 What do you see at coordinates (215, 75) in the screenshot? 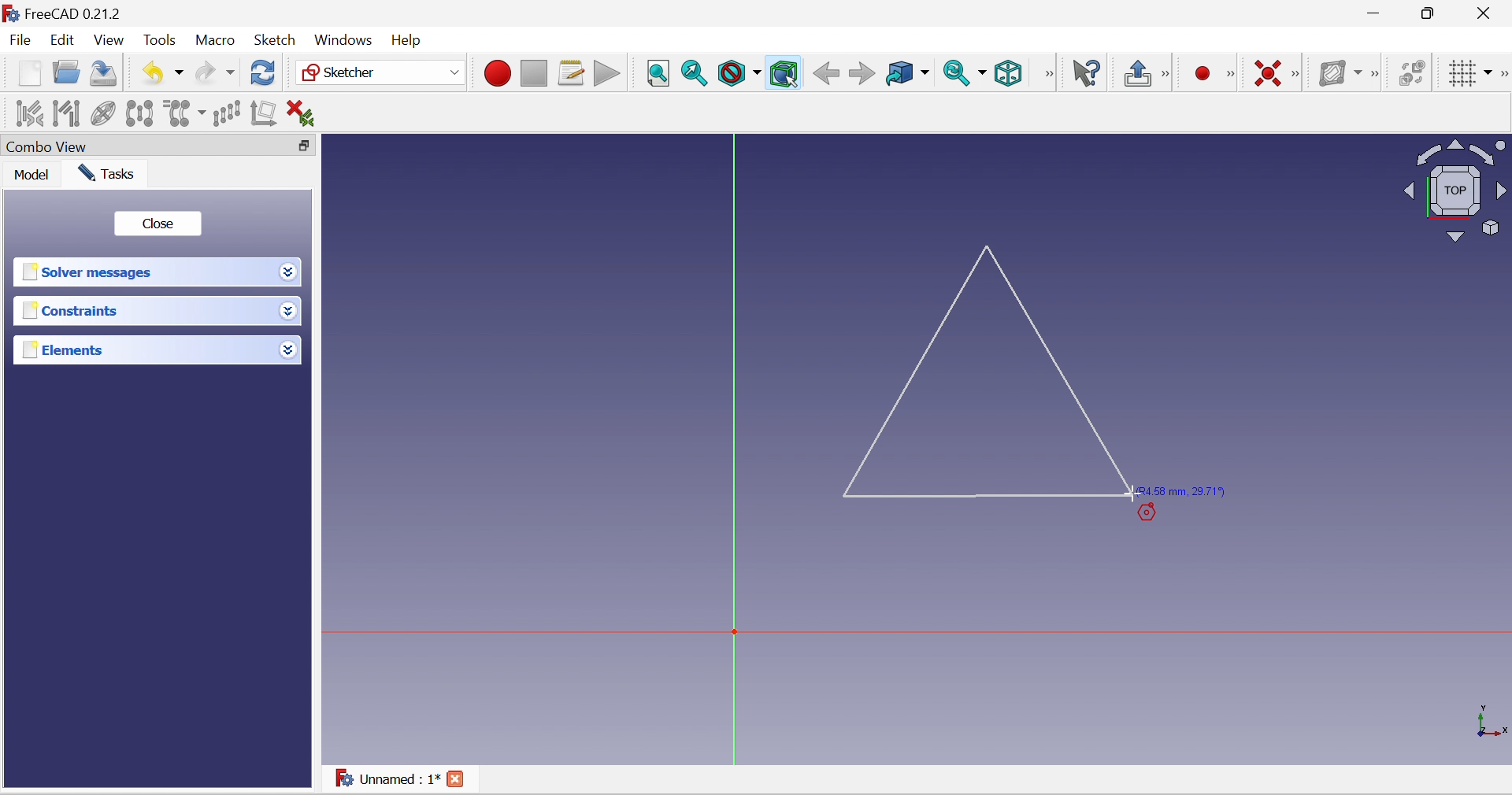
I see `Redo` at bounding box center [215, 75].